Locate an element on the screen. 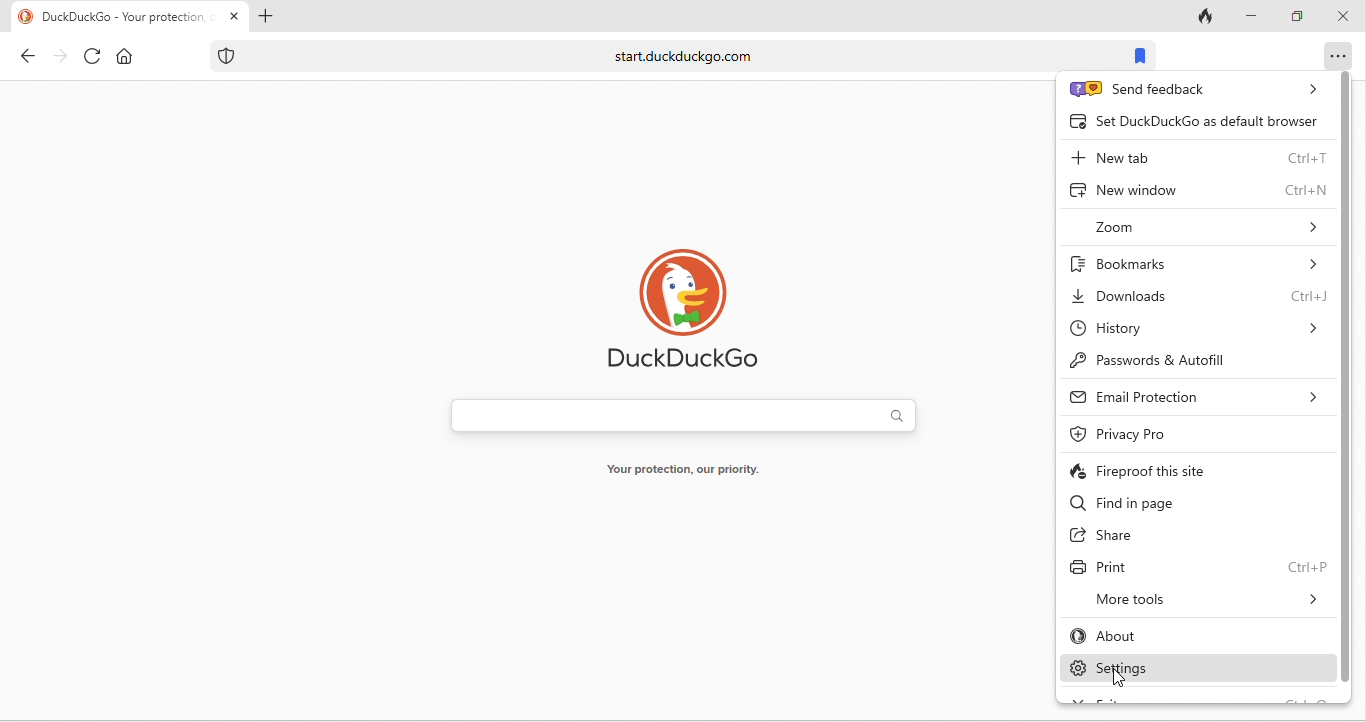 This screenshot has height=722, width=1366. Your protection, our priority is located at coordinates (698, 468).